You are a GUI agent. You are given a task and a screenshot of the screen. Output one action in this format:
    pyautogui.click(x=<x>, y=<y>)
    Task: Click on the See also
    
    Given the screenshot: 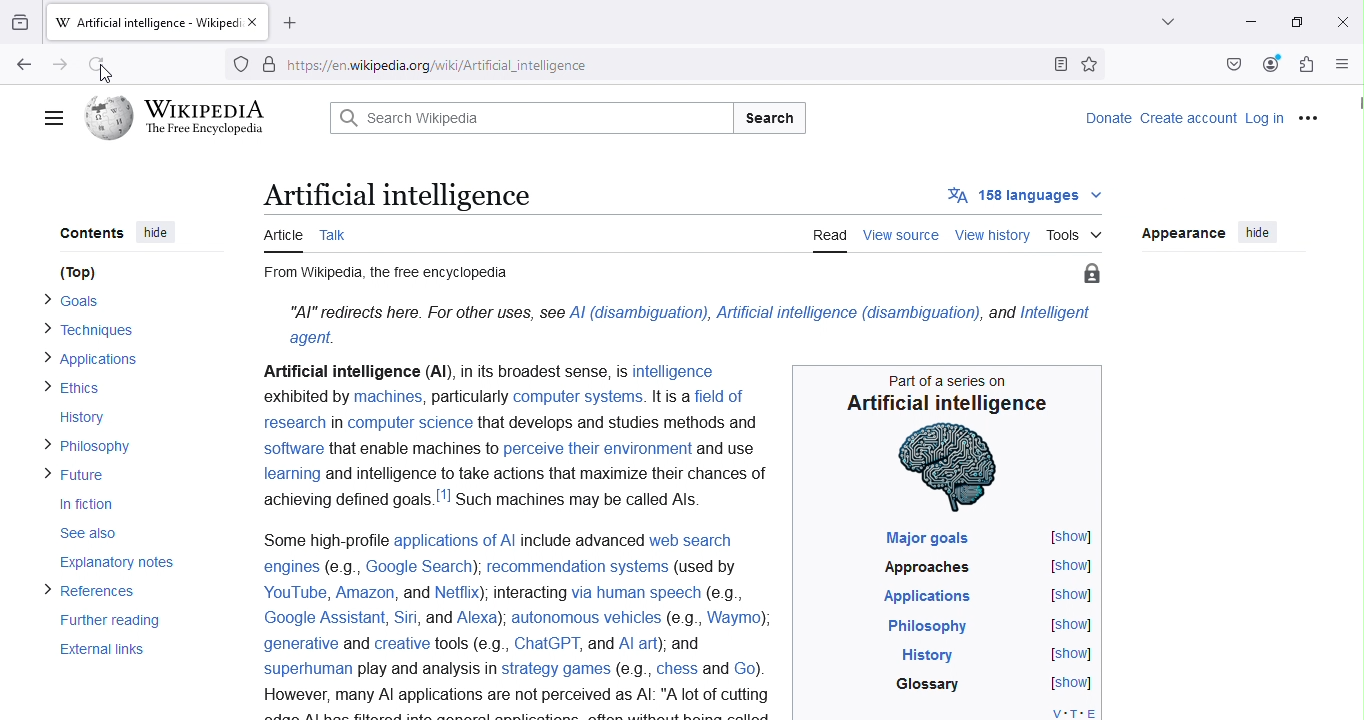 What is the action you would take?
    pyautogui.click(x=97, y=536)
    